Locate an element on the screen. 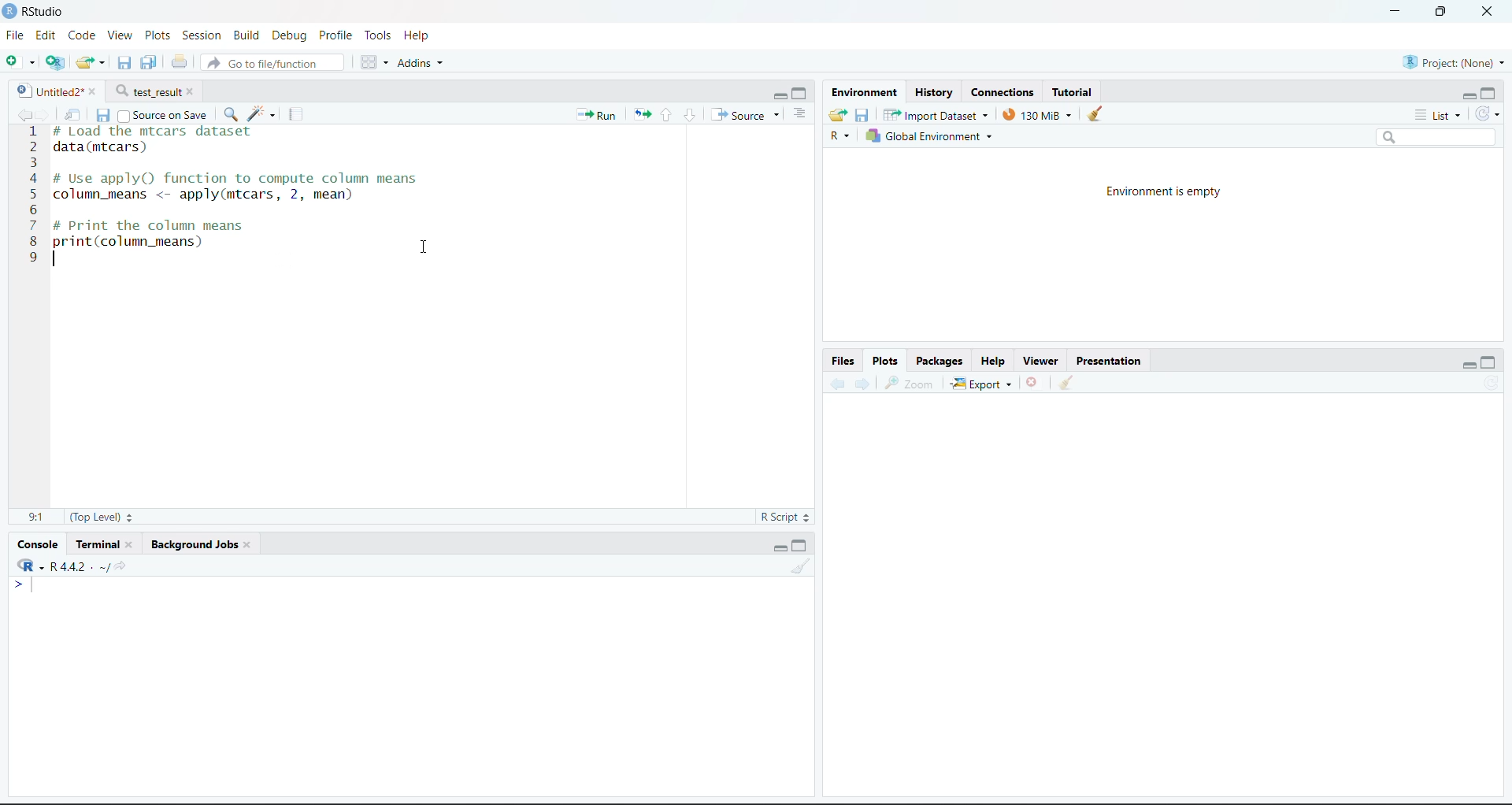  (Top Level): is located at coordinates (103, 517).